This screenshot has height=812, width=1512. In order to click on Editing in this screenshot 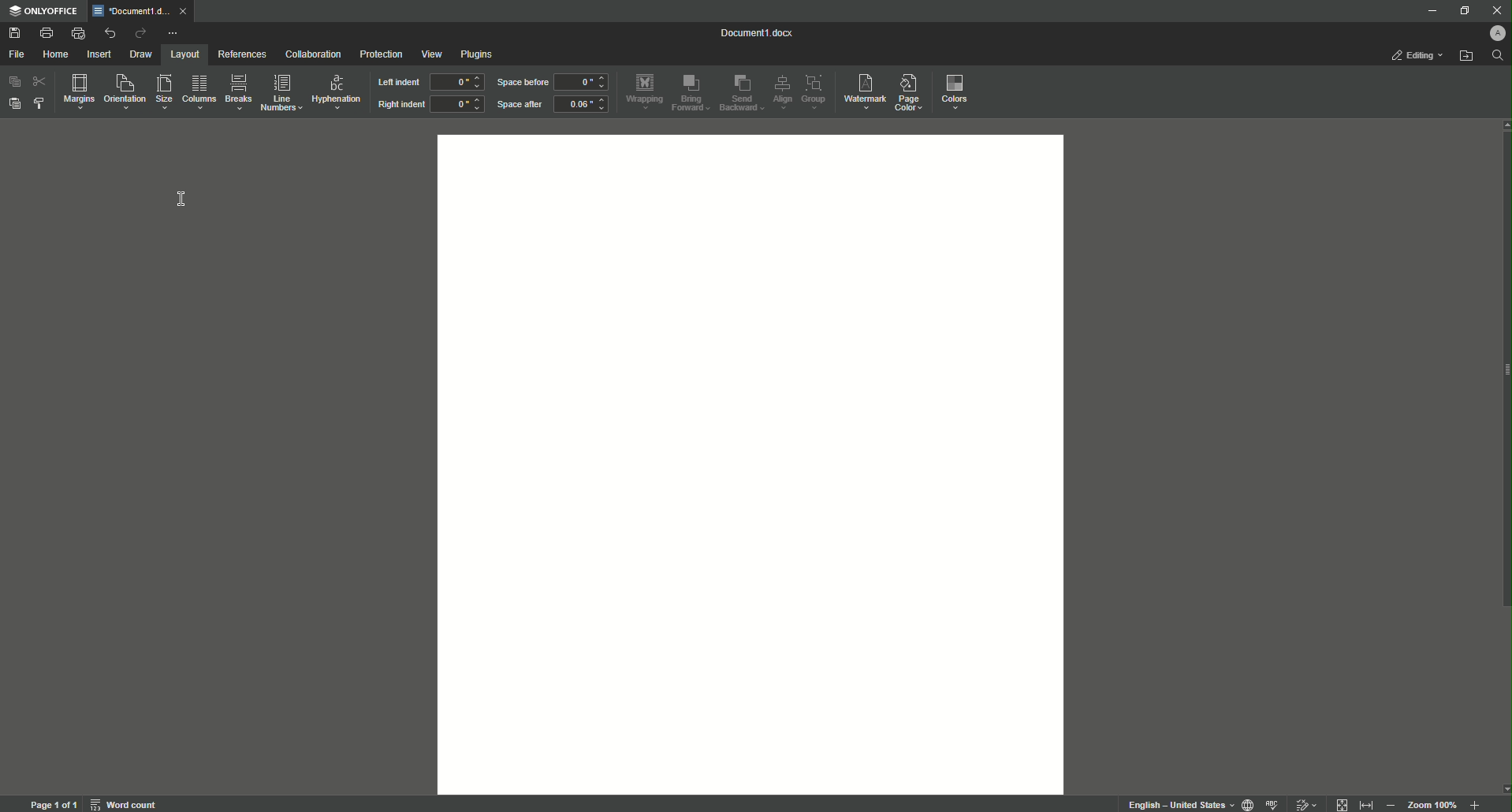, I will do `click(1414, 56)`.